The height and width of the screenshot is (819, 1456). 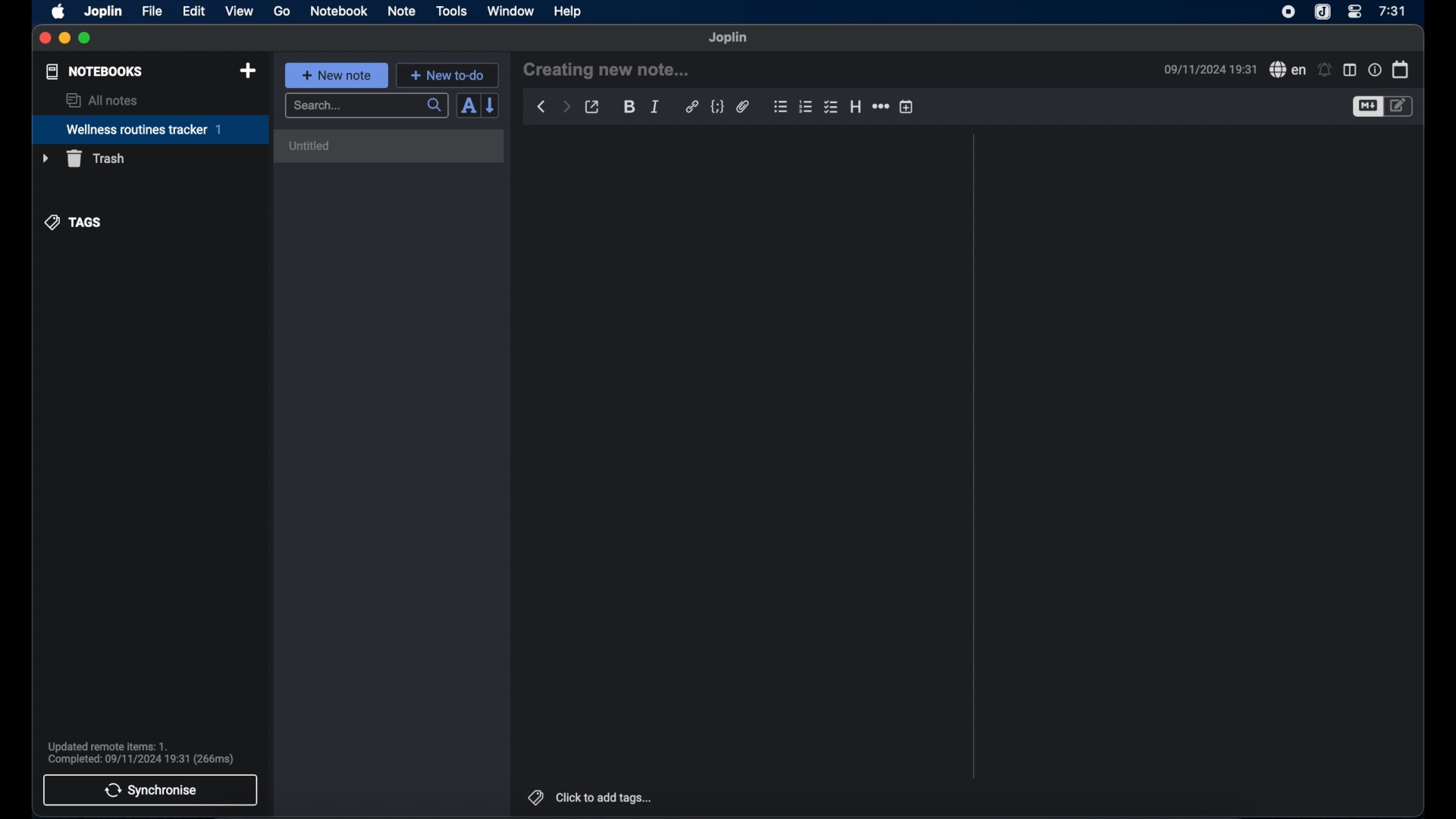 What do you see at coordinates (1349, 70) in the screenshot?
I see `toggle editor layout` at bounding box center [1349, 70].